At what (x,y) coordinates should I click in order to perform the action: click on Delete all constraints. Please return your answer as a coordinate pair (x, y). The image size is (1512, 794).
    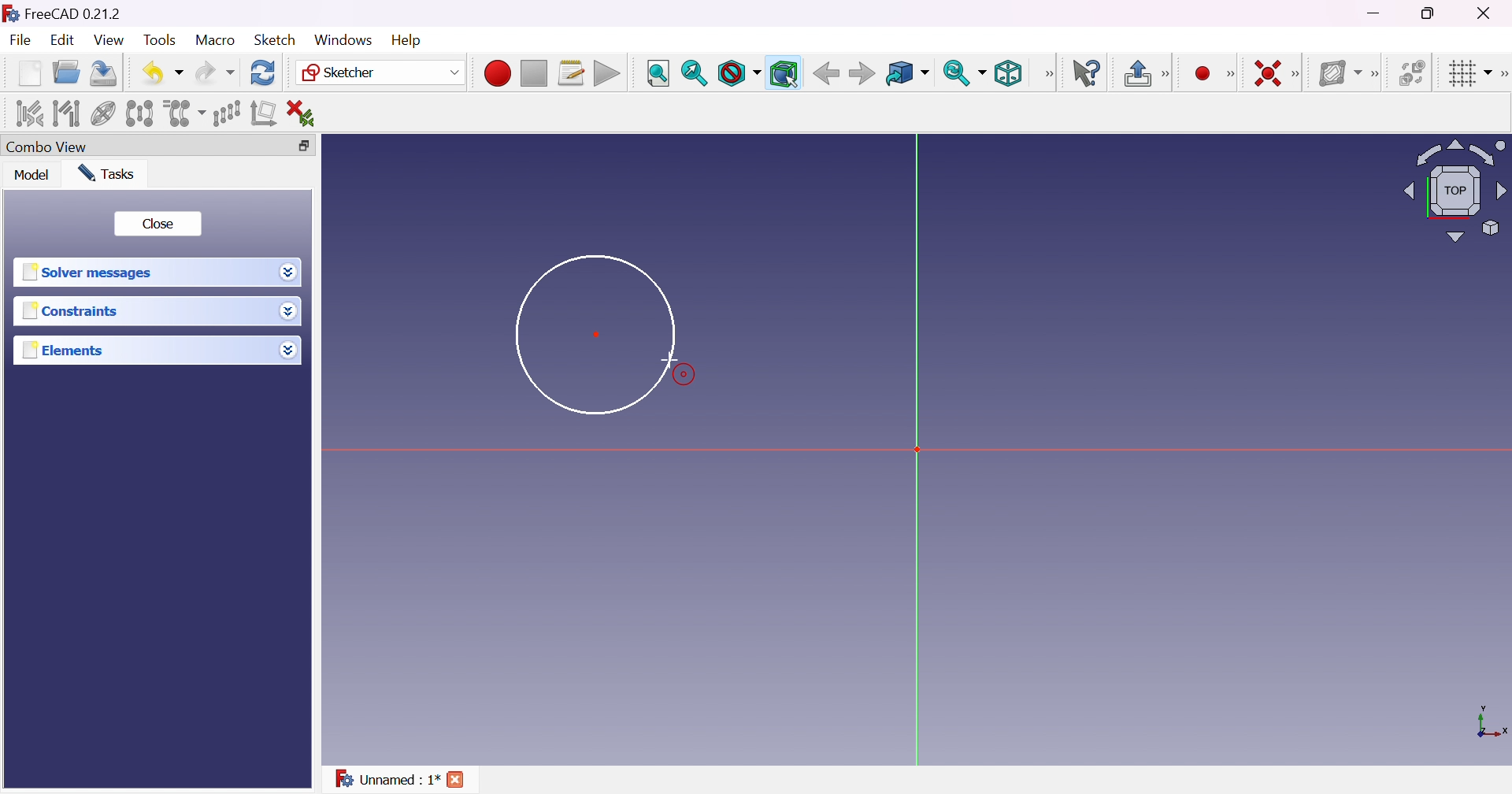
    Looking at the image, I should click on (307, 113).